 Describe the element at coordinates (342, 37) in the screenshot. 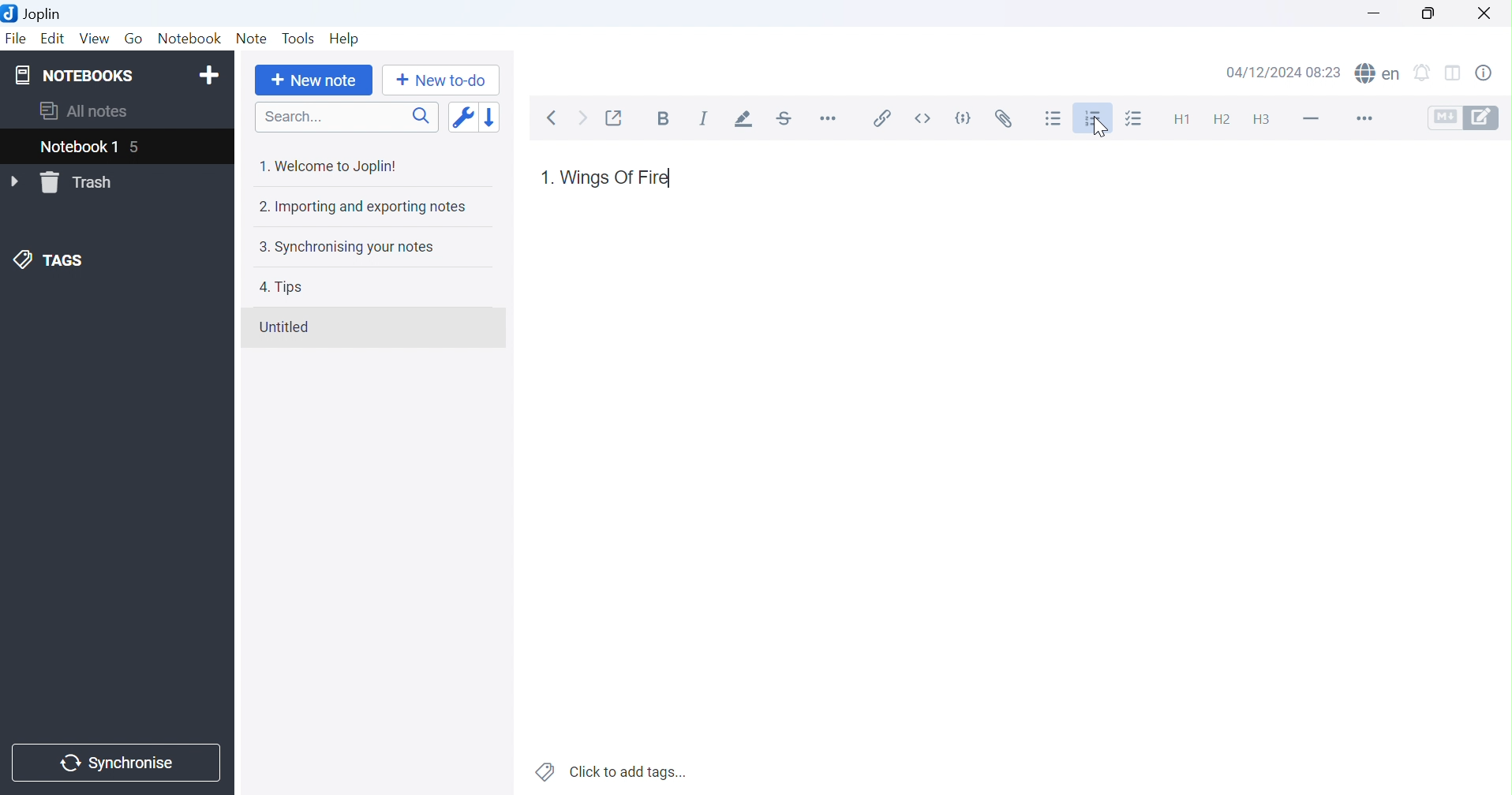

I see `Help` at that location.